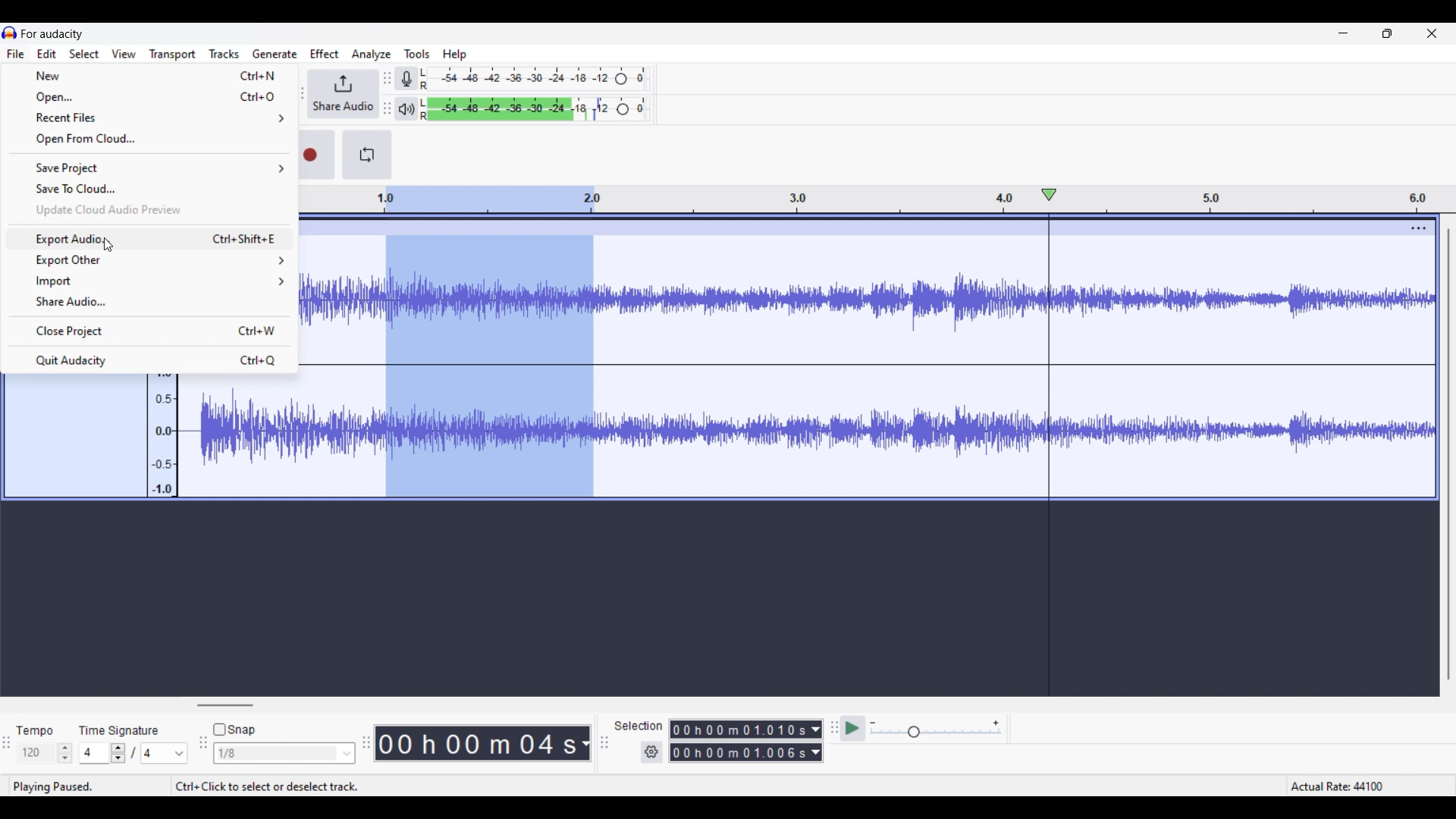  Describe the element at coordinates (149, 190) in the screenshot. I see `Save to cloud` at that location.